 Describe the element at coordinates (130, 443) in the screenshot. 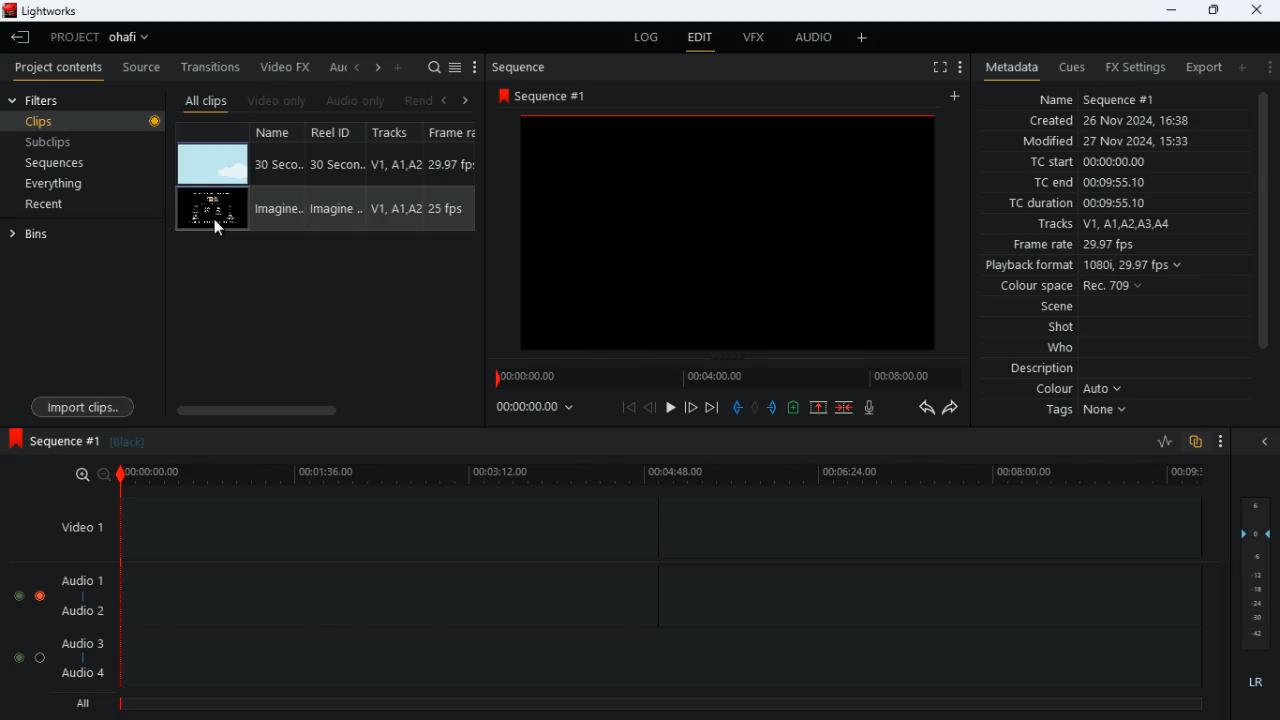

I see `black` at that location.